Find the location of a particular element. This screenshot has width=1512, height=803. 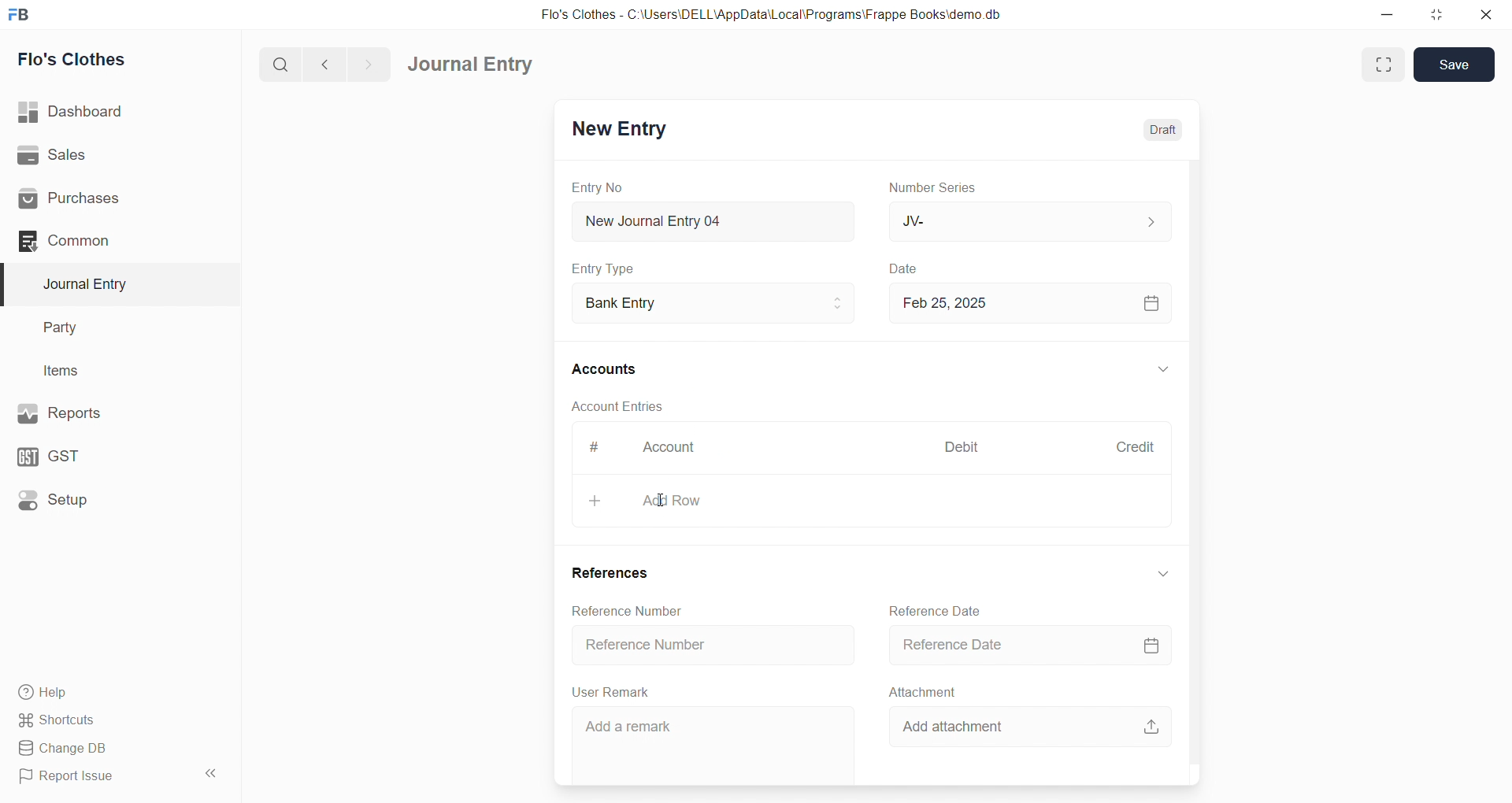

Report Issue is located at coordinates (98, 776).